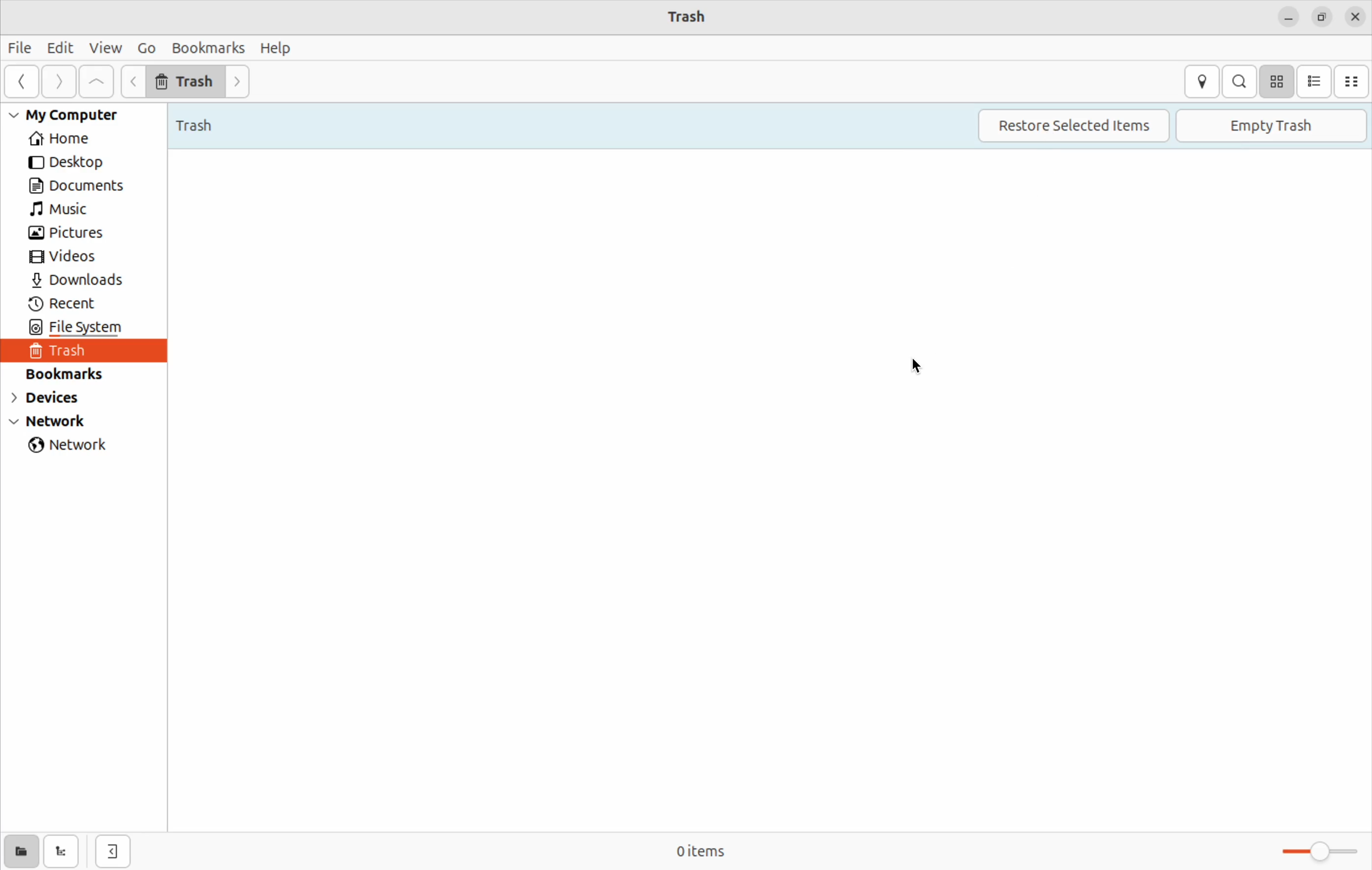  What do you see at coordinates (58, 400) in the screenshot?
I see `devices` at bounding box center [58, 400].